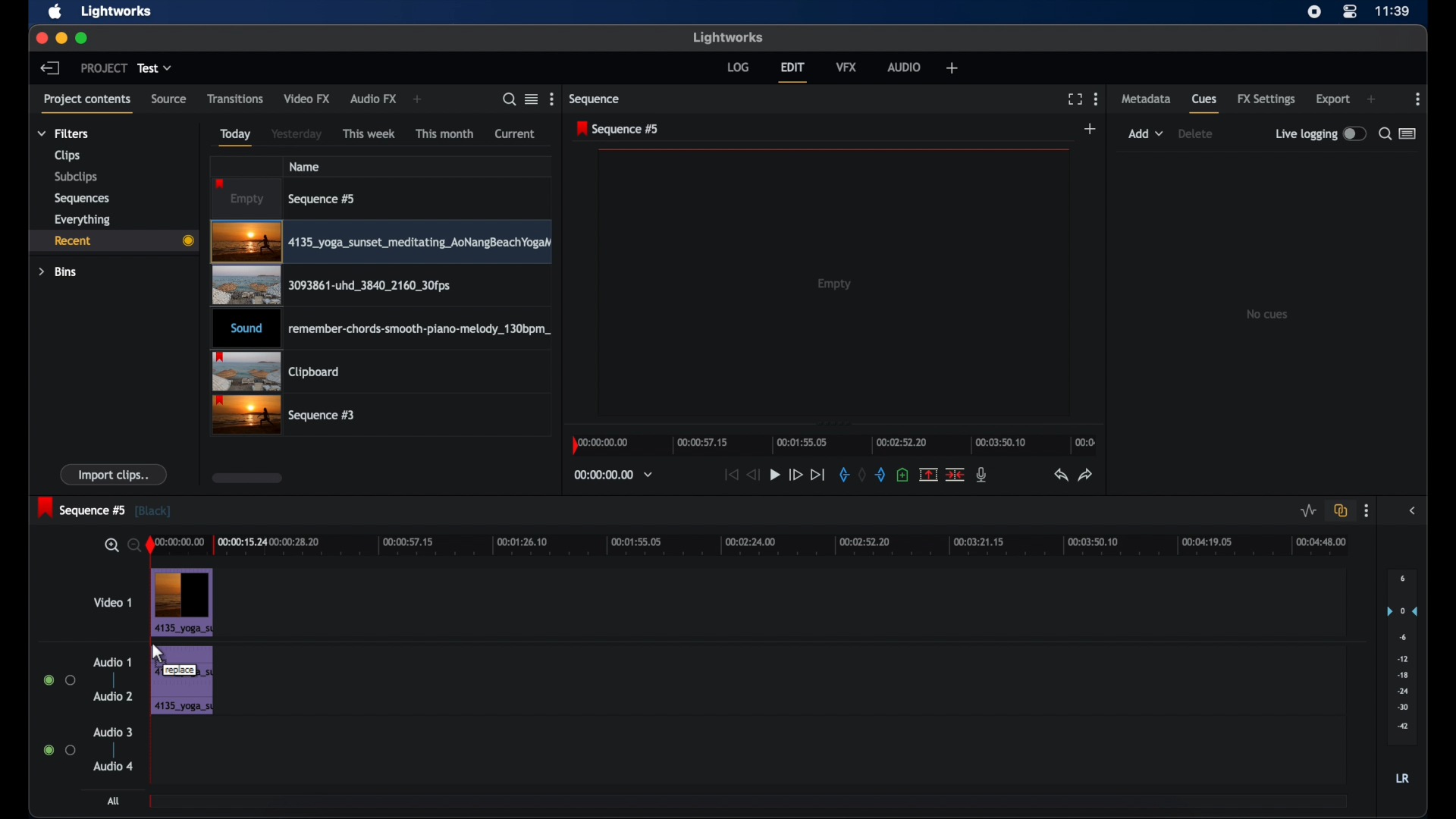  What do you see at coordinates (928, 475) in the screenshot?
I see `remove  marked section` at bounding box center [928, 475].